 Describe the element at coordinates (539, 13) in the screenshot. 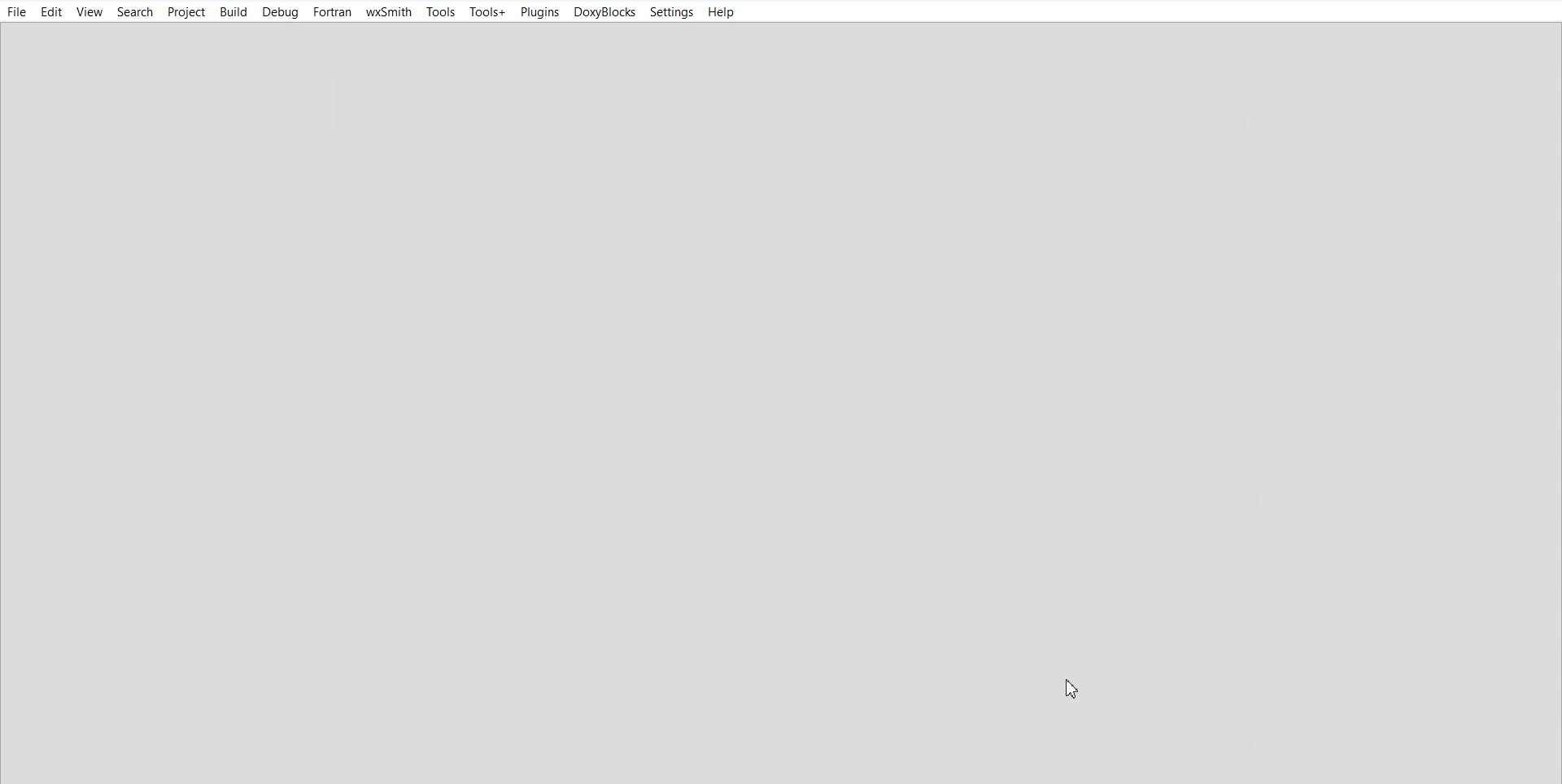

I see `Plugins` at that location.